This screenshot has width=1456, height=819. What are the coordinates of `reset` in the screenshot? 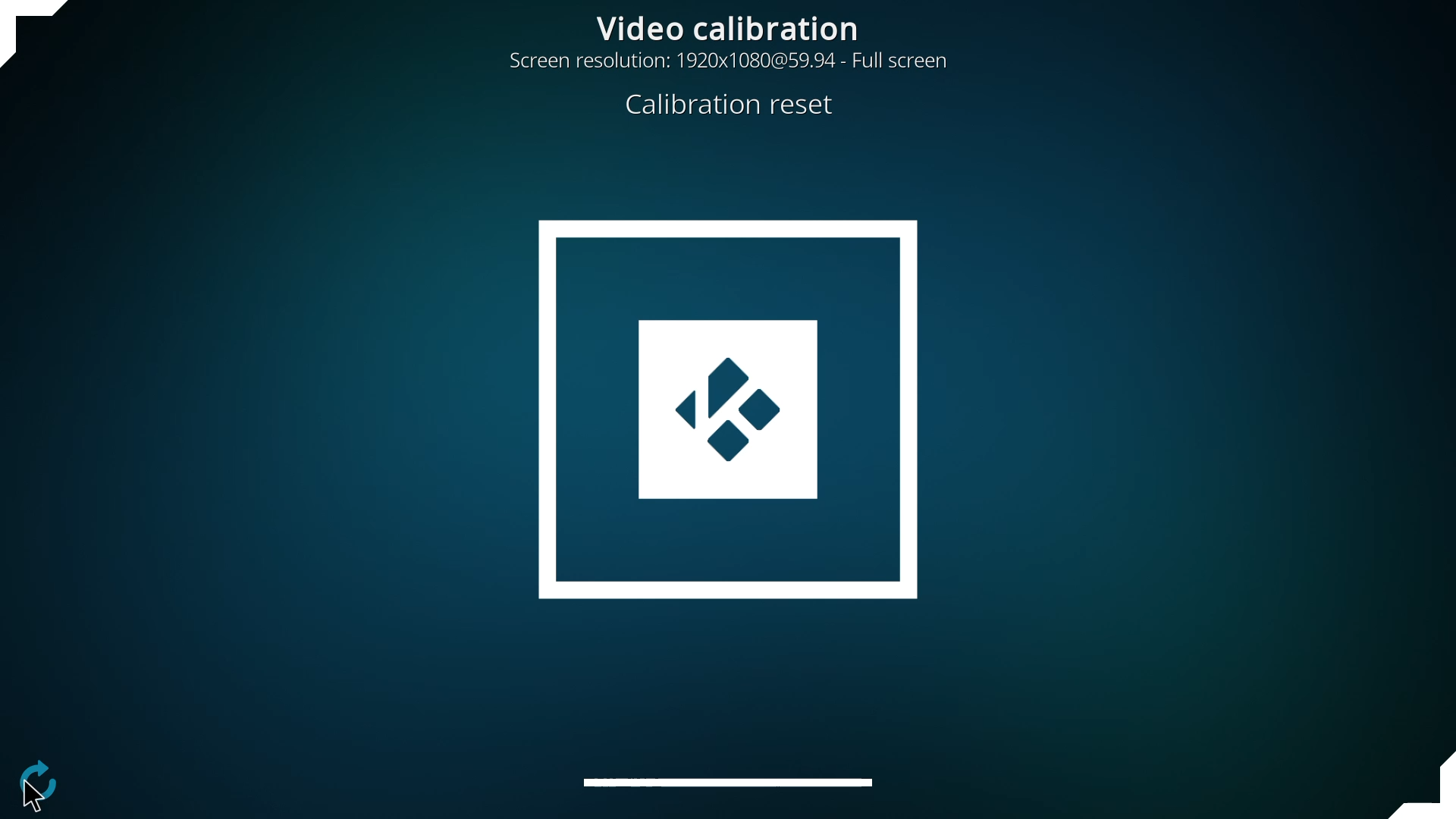 It's located at (736, 105).